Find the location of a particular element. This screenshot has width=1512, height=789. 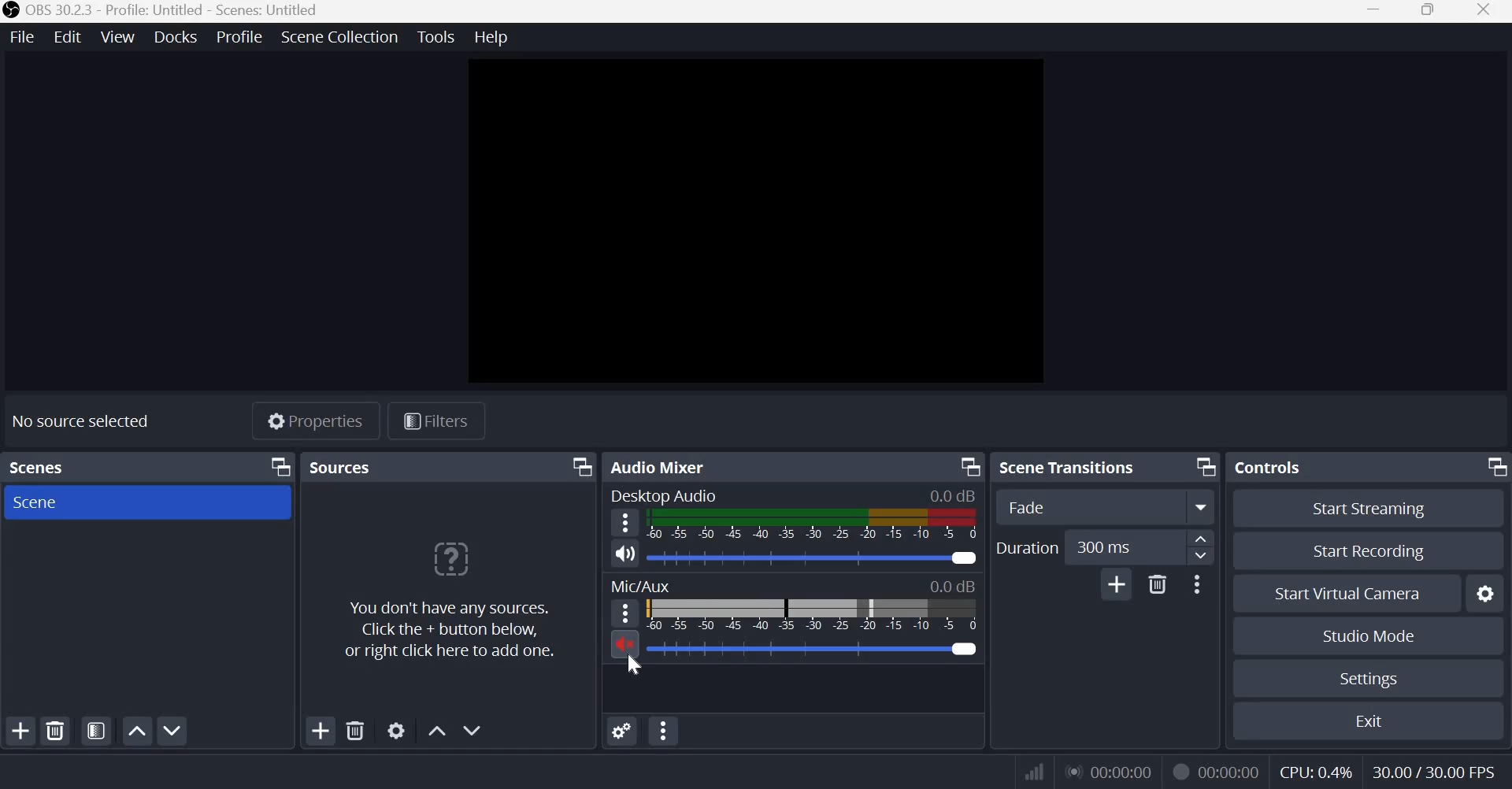

Speaker icon is located at coordinates (627, 554).